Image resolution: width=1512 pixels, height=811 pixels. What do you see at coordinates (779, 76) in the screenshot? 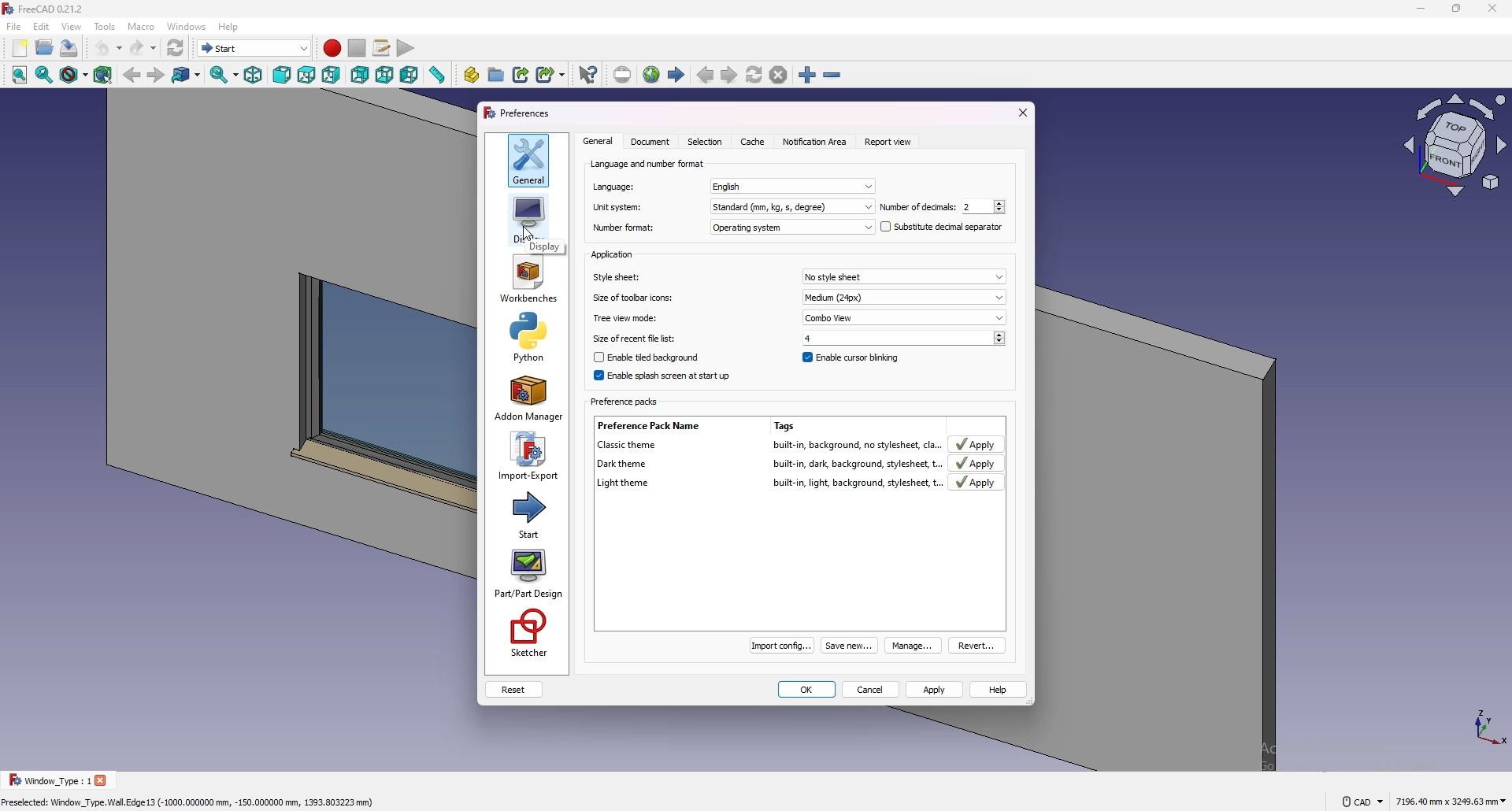
I see `stop loading` at bounding box center [779, 76].